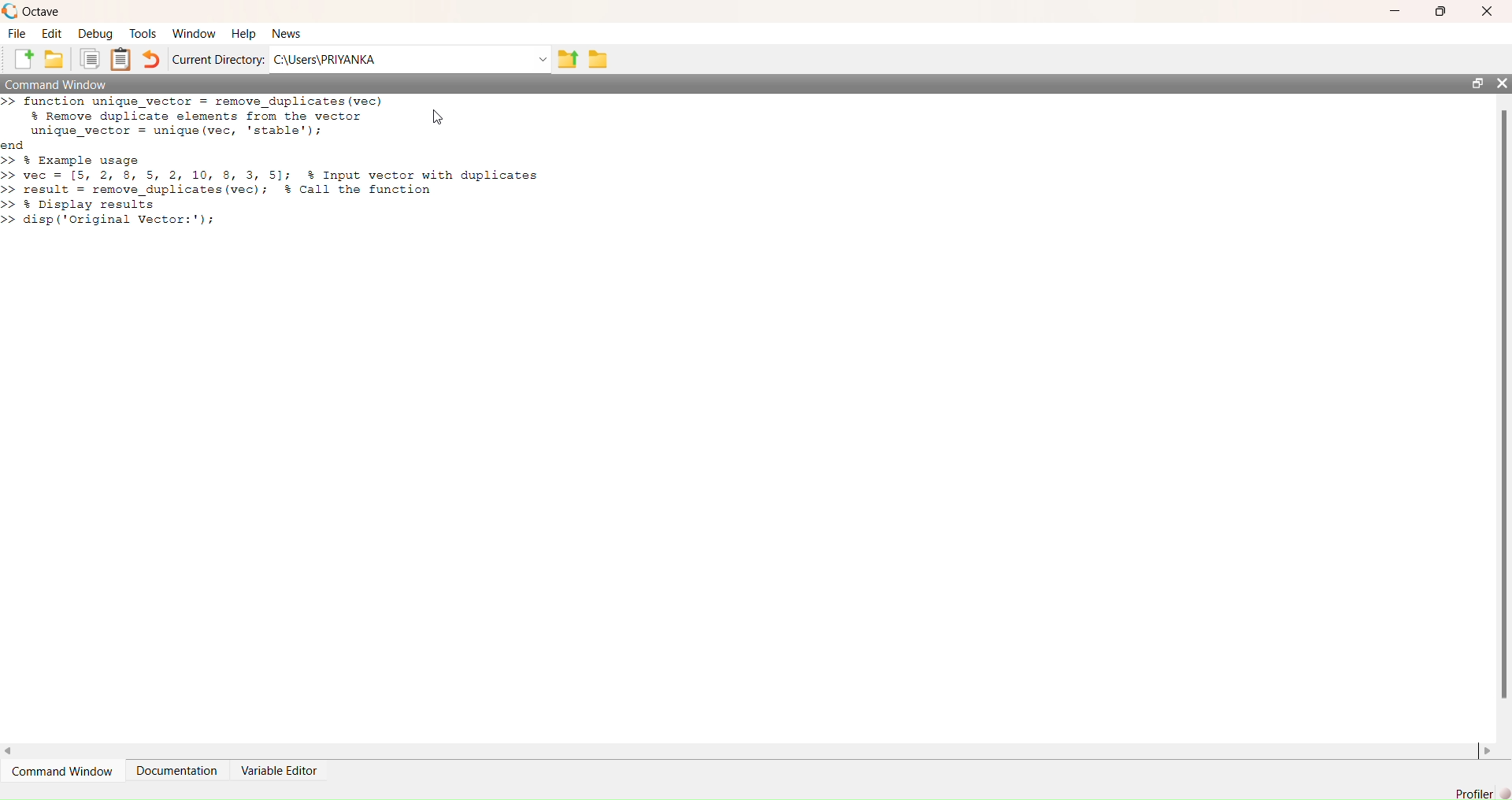 The width and height of the screenshot is (1512, 800). Describe the element at coordinates (1478, 83) in the screenshot. I see `open in separate window` at that location.